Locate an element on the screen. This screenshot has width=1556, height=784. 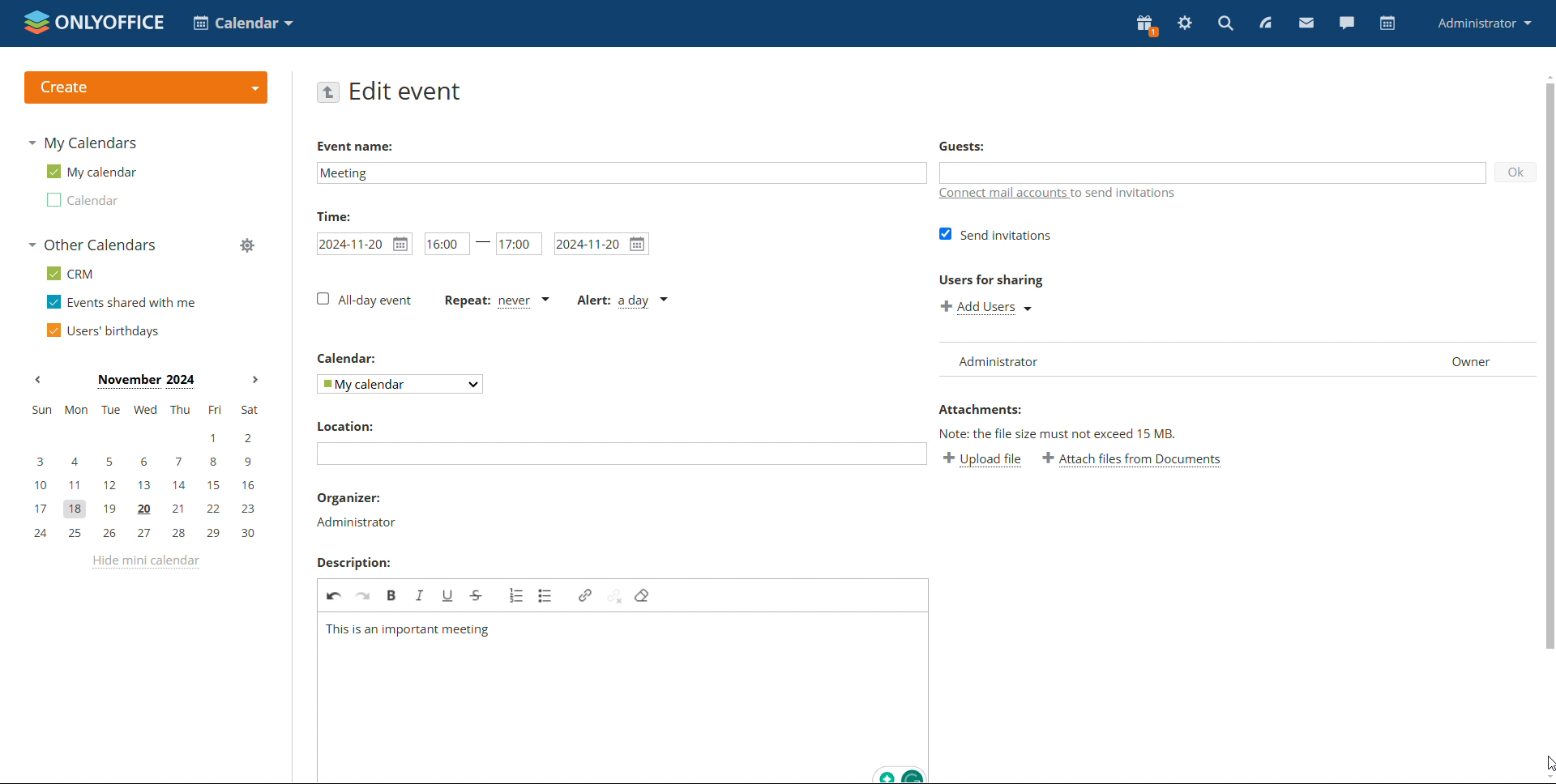
strikethrough is located at coordinates (477, 596).